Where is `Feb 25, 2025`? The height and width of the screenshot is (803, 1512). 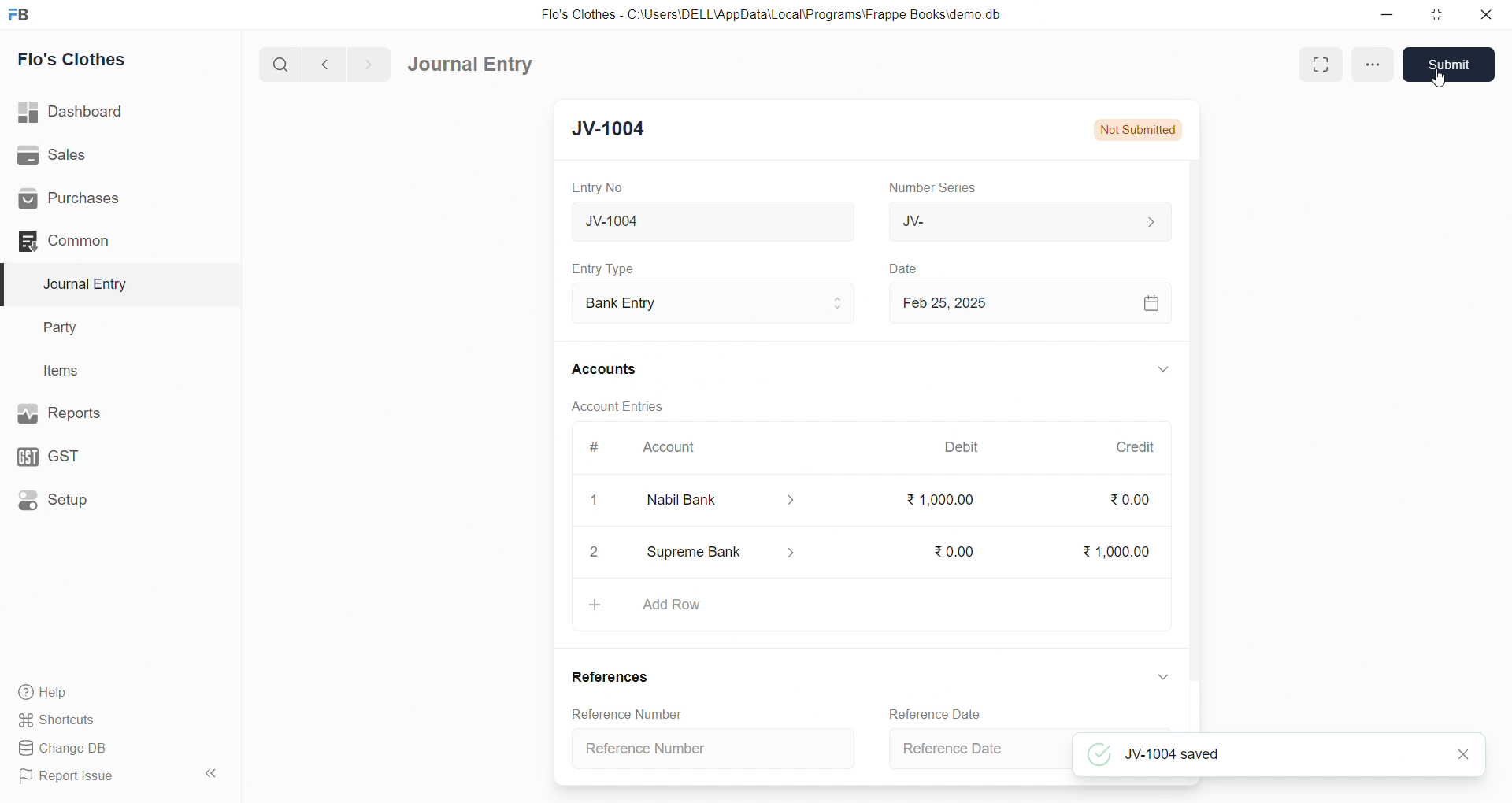 Feb 25, 2025 is located at coordinates (1027, 302).